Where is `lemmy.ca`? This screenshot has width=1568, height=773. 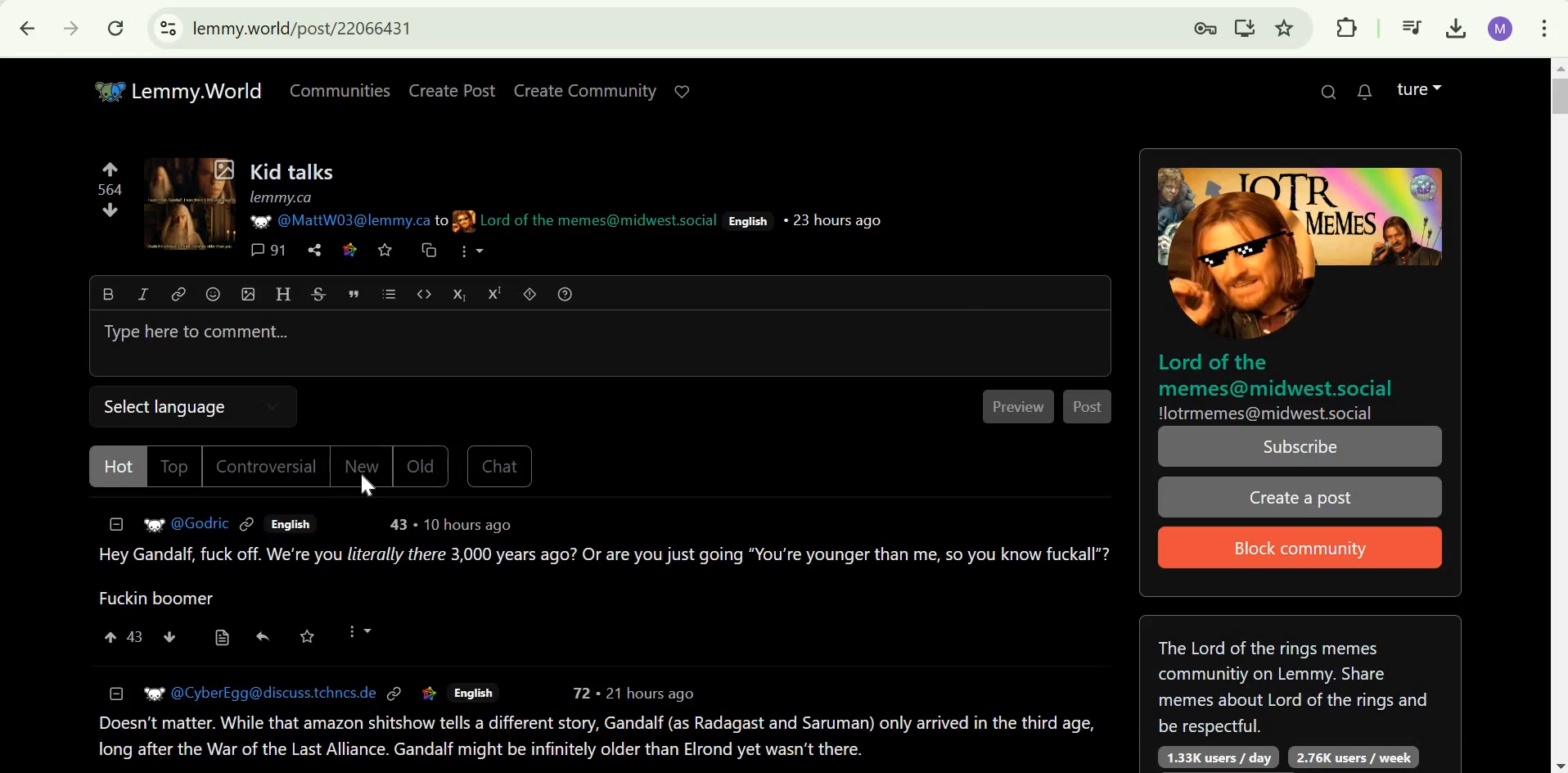 lemmy.ca is located at coordinates (281, 197).